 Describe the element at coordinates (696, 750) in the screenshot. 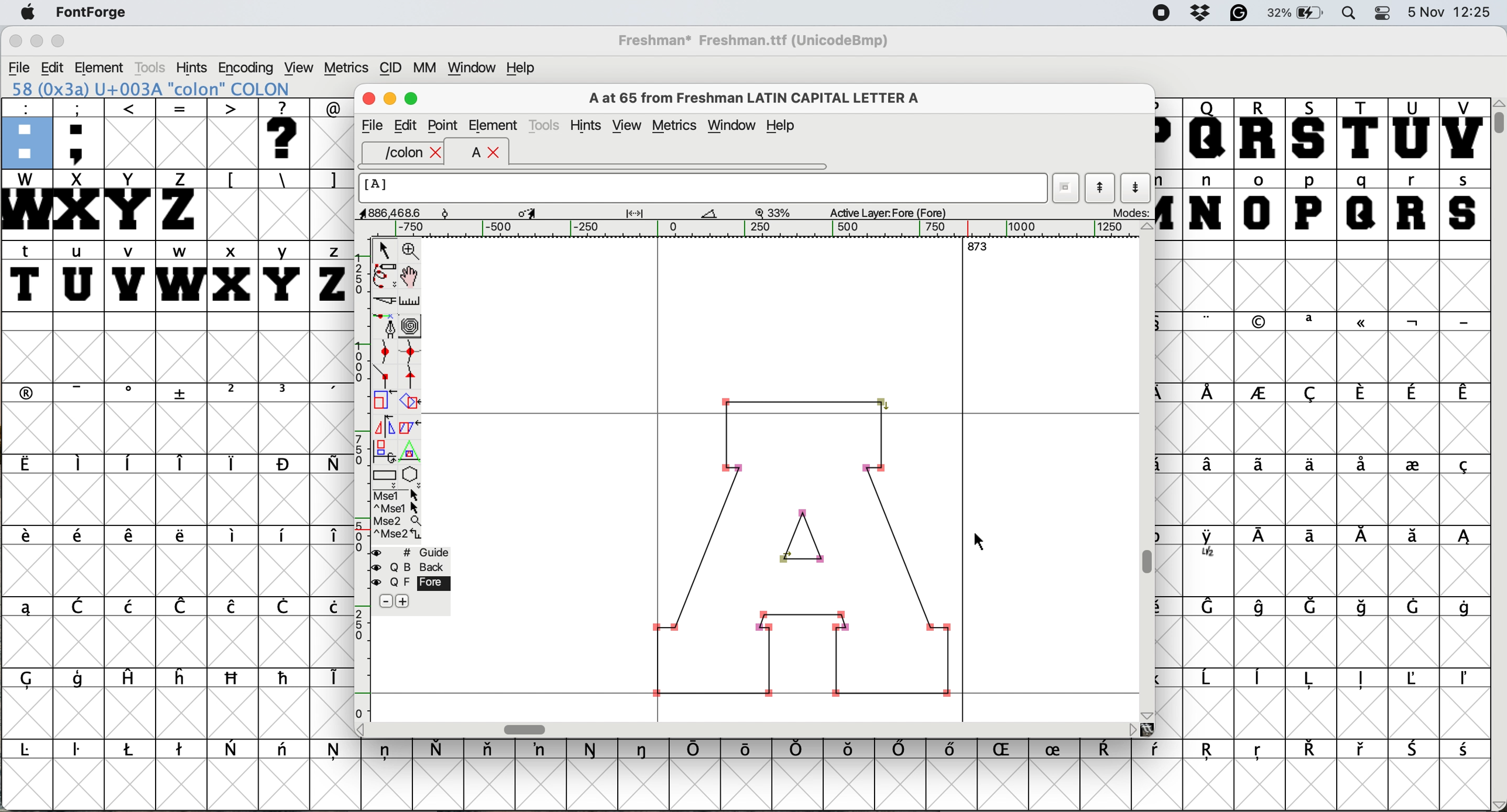

I see `symbol` at that location.